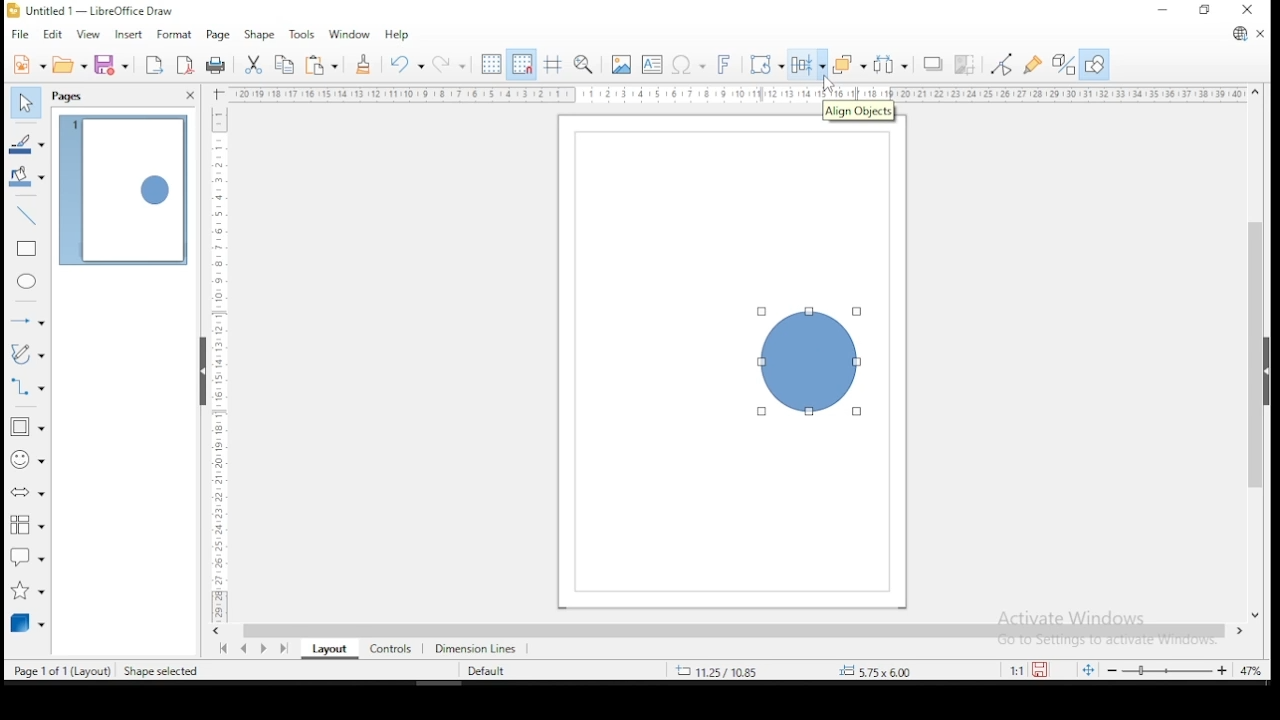 This screenshot has width=1280, height=720. What do you see at coordinates (186, 63) in the screenshot?
I see `export as PDF` at bounding box center [186, 63].